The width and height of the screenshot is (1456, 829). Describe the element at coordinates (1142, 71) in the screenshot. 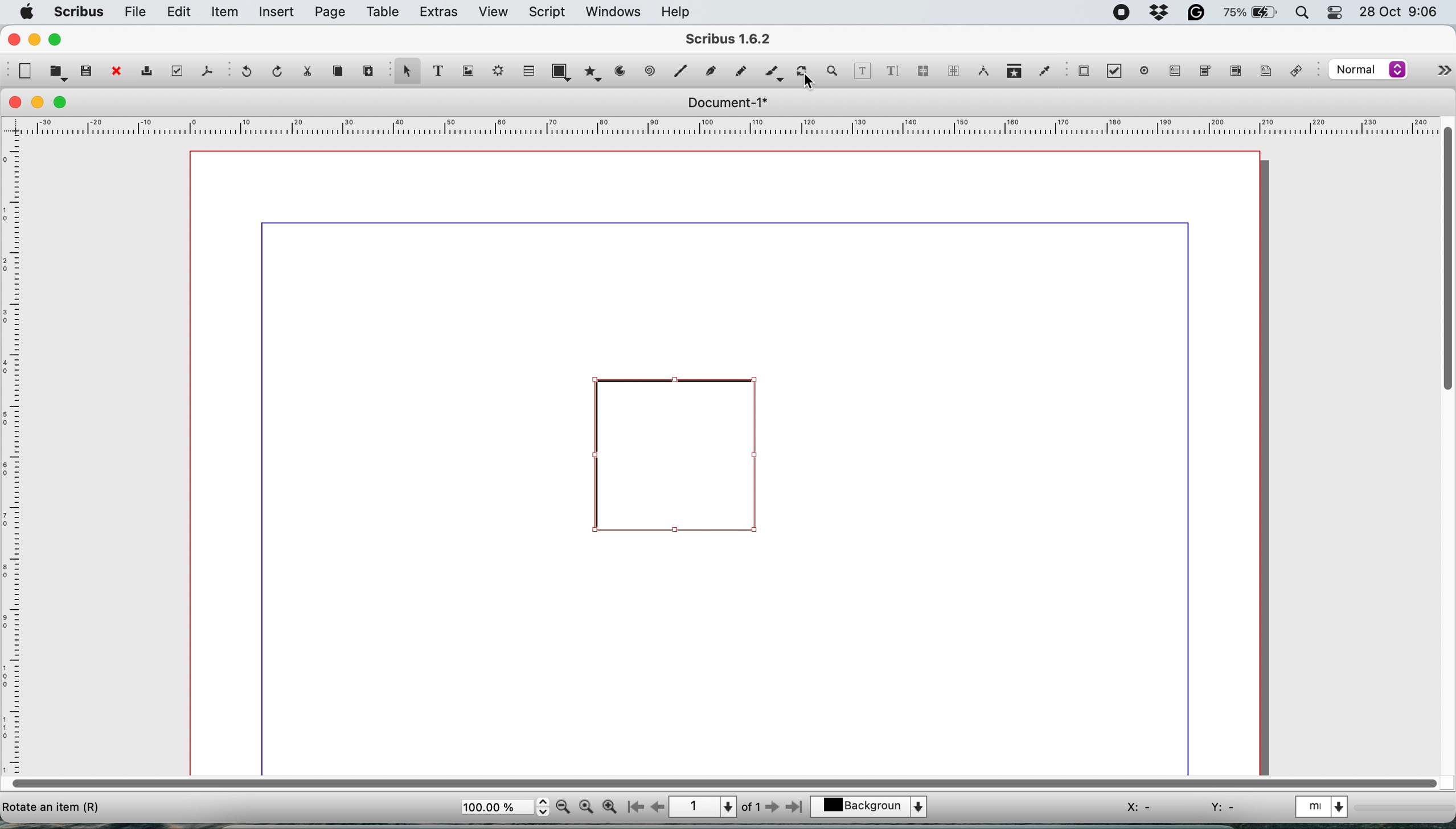

I see `pdf radio button` at that location.